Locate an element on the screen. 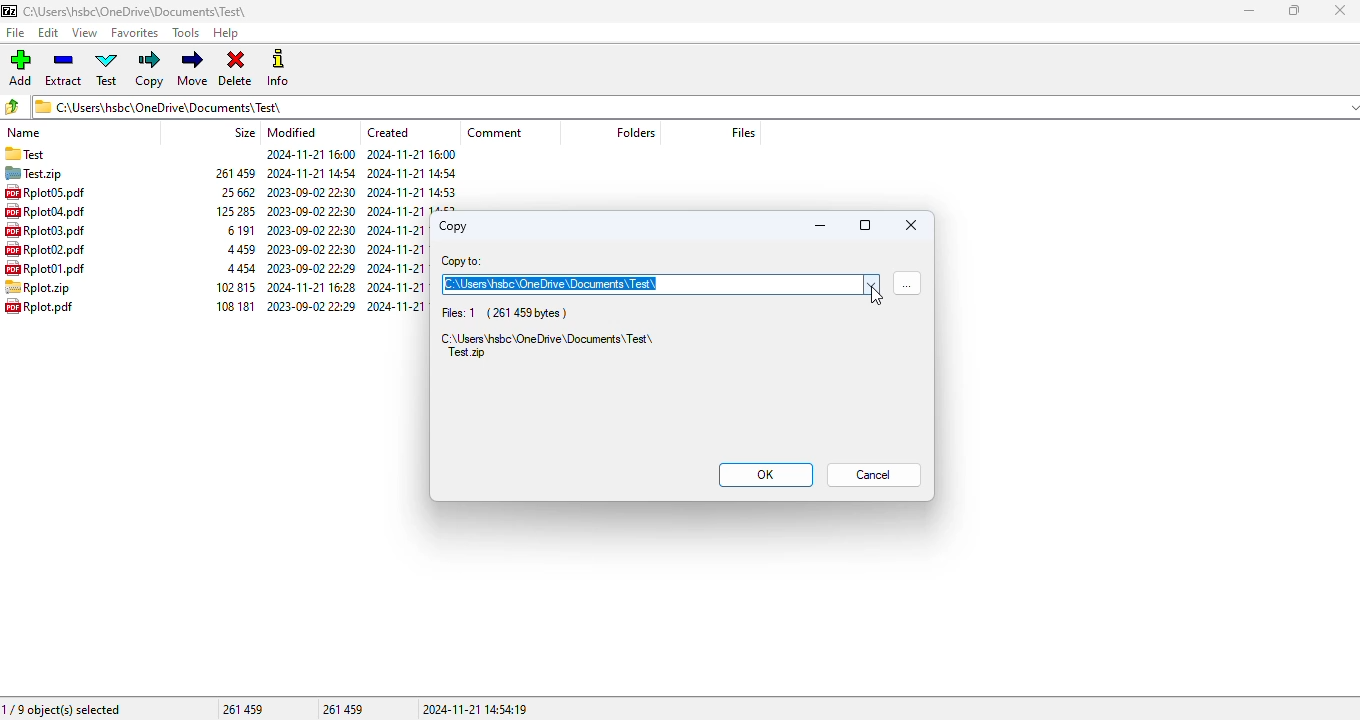 This screenshot has width=1360, height=720. modified date & time is located at coordinates (312, 248).